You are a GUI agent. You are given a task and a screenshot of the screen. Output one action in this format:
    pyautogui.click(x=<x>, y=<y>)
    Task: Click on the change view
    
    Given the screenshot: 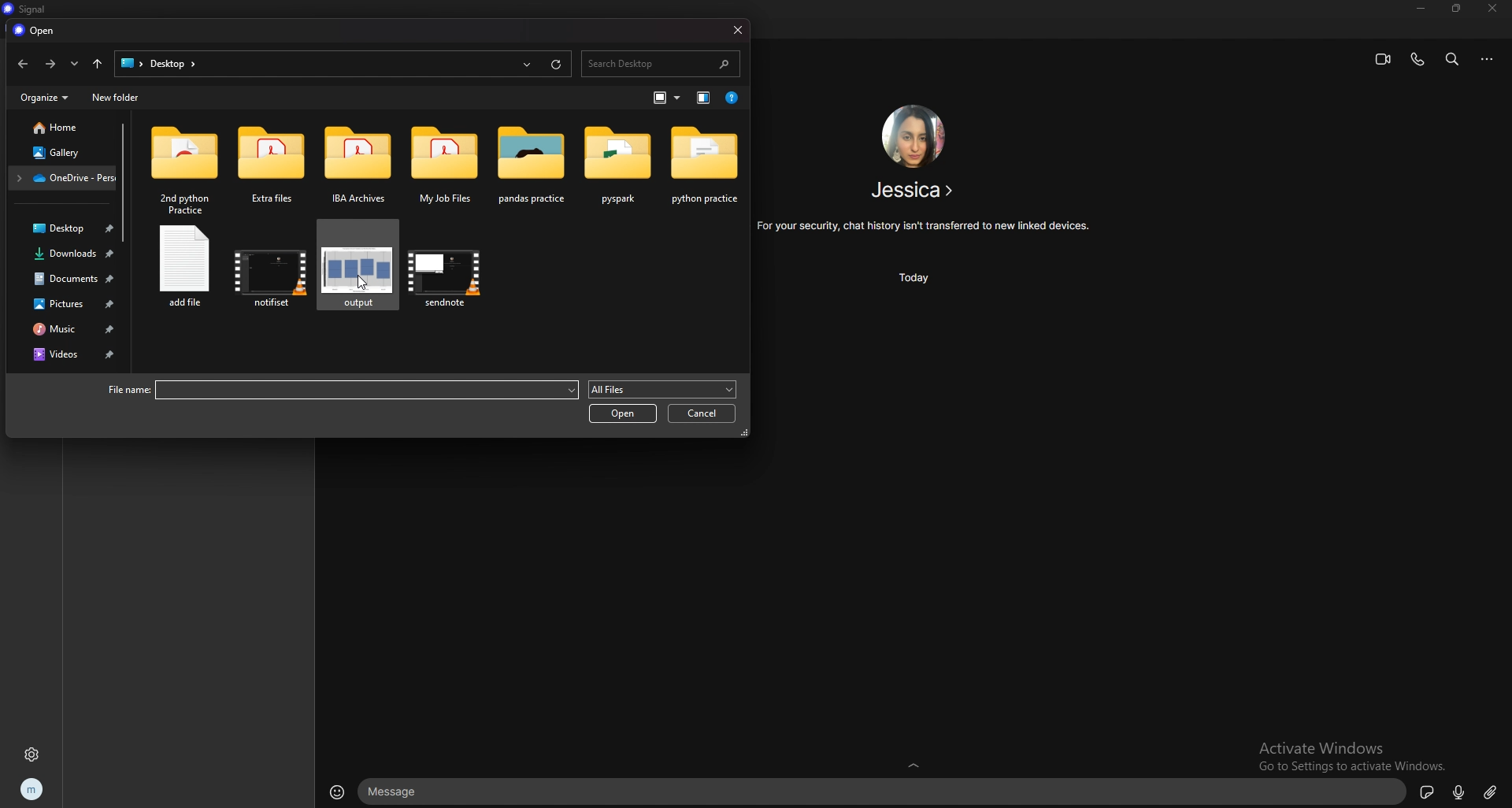 What is the action you would take?
    pyautogui.click(x=669, y=98)
    